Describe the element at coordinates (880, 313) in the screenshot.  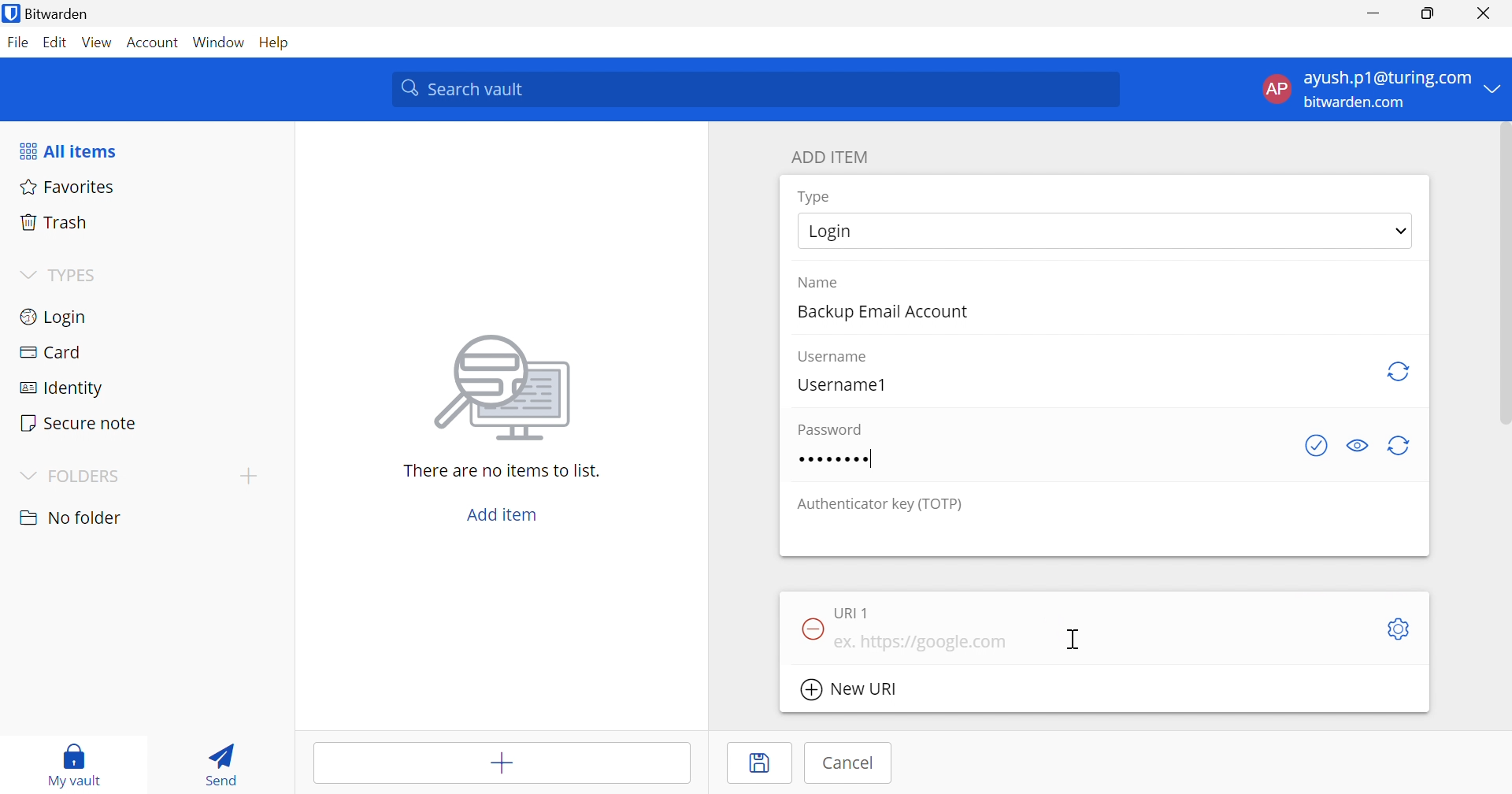
I see `Backup Email Account` at that location.